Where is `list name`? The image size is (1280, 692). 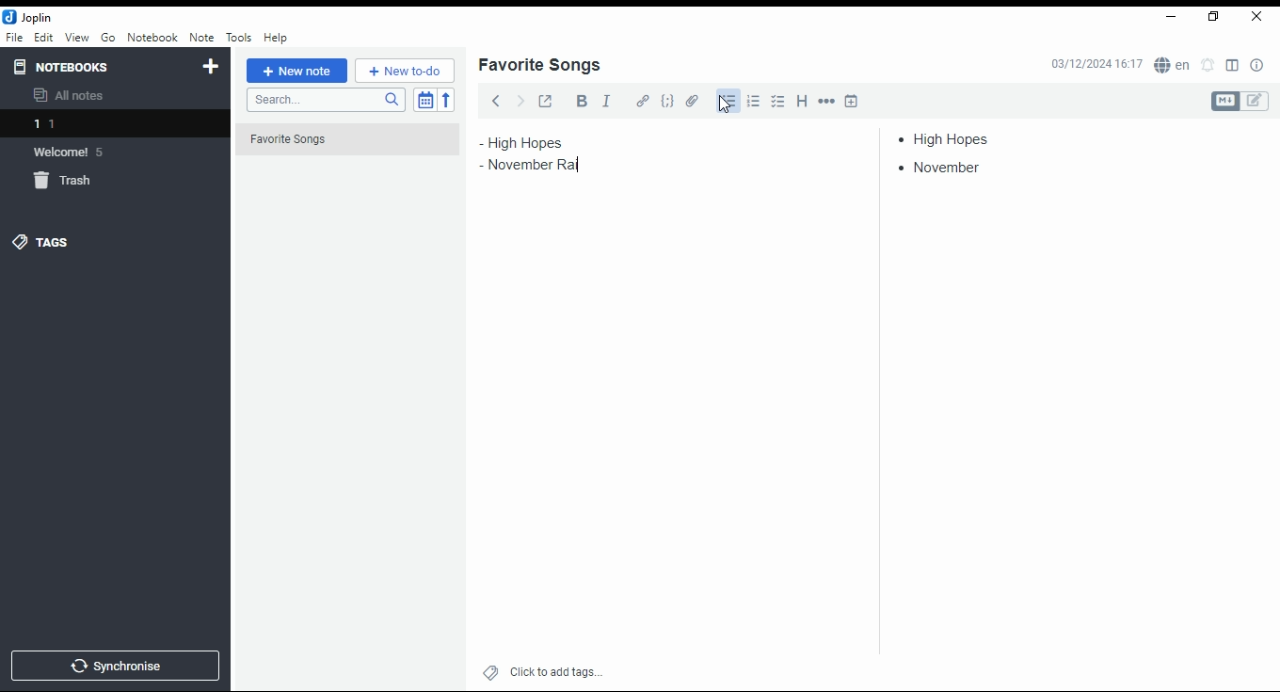
list name is located at coordinates (539, 66).